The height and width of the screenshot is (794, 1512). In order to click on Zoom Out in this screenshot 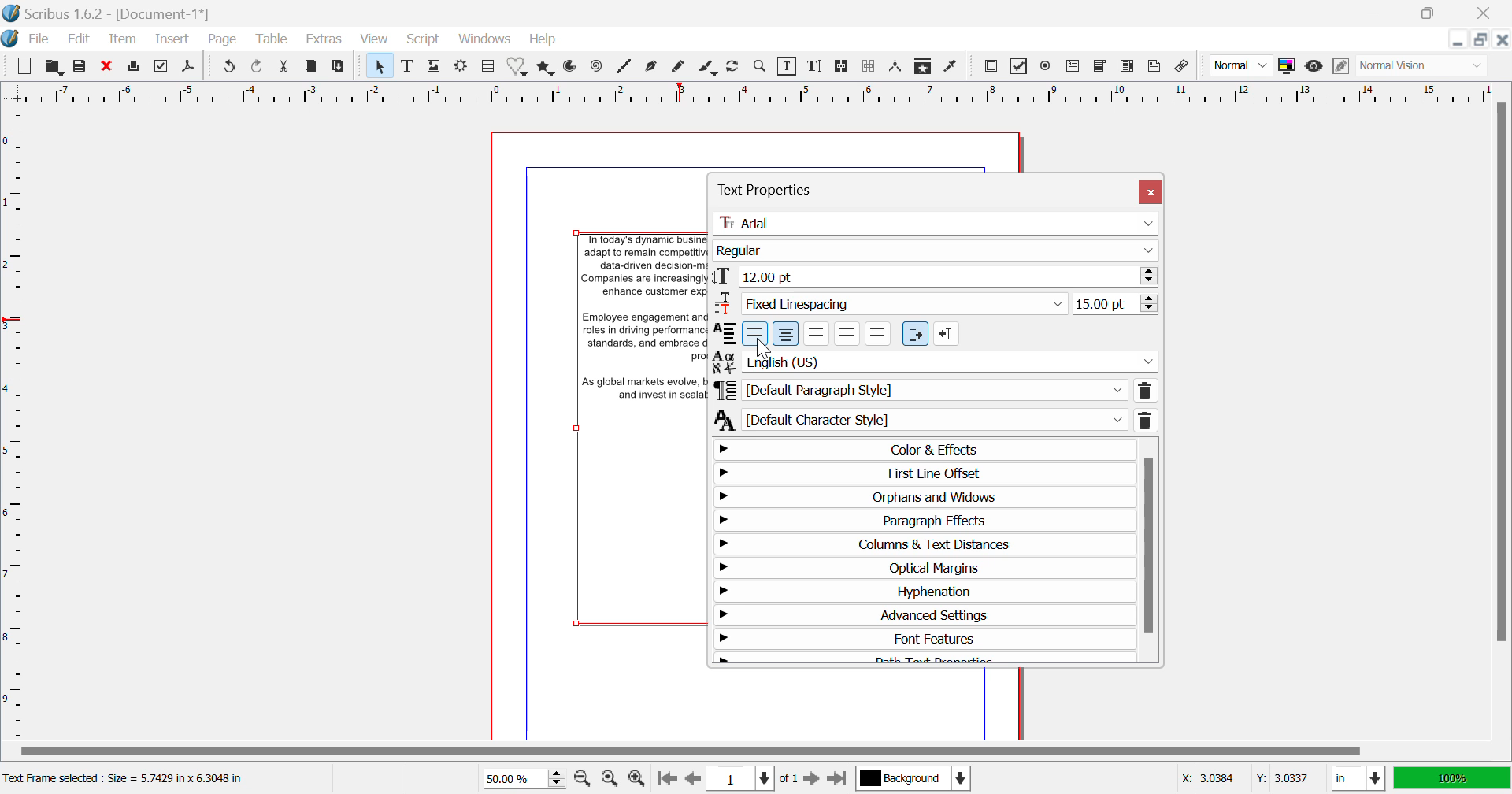, I will do `click(583, 777)`.